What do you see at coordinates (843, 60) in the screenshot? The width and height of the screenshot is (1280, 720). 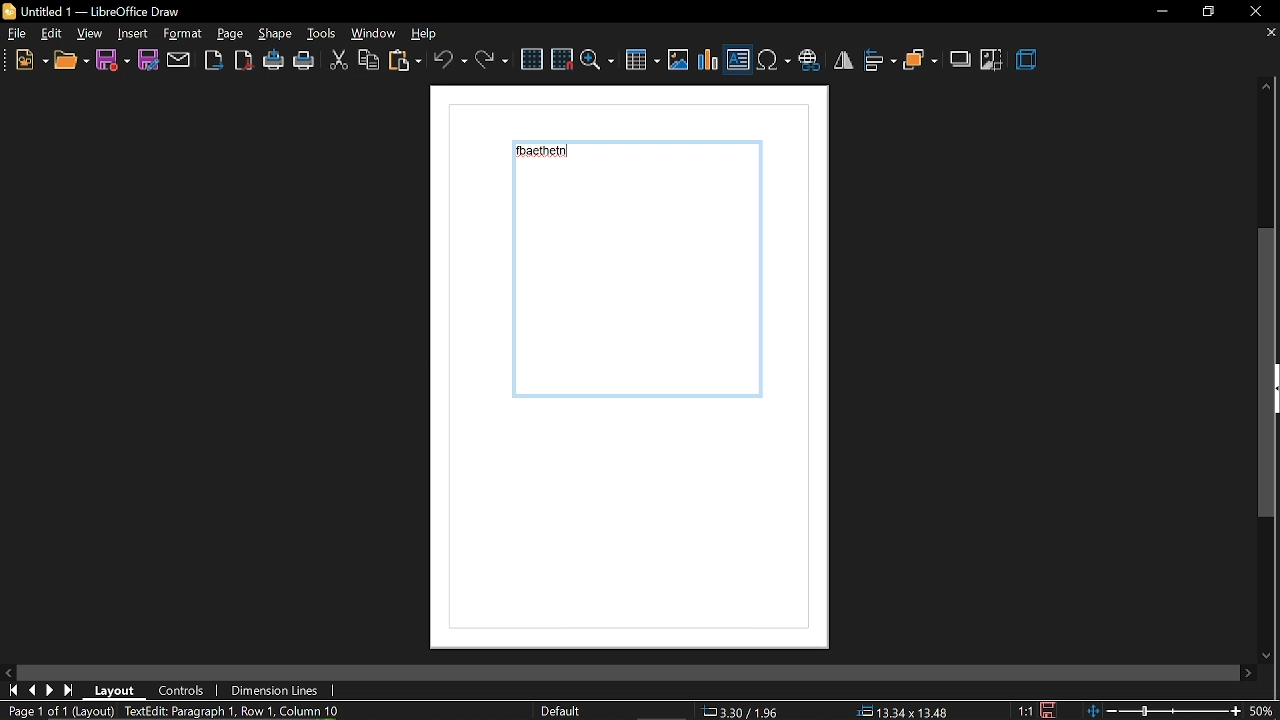 I see `flip` at bounding box center [843, 60].